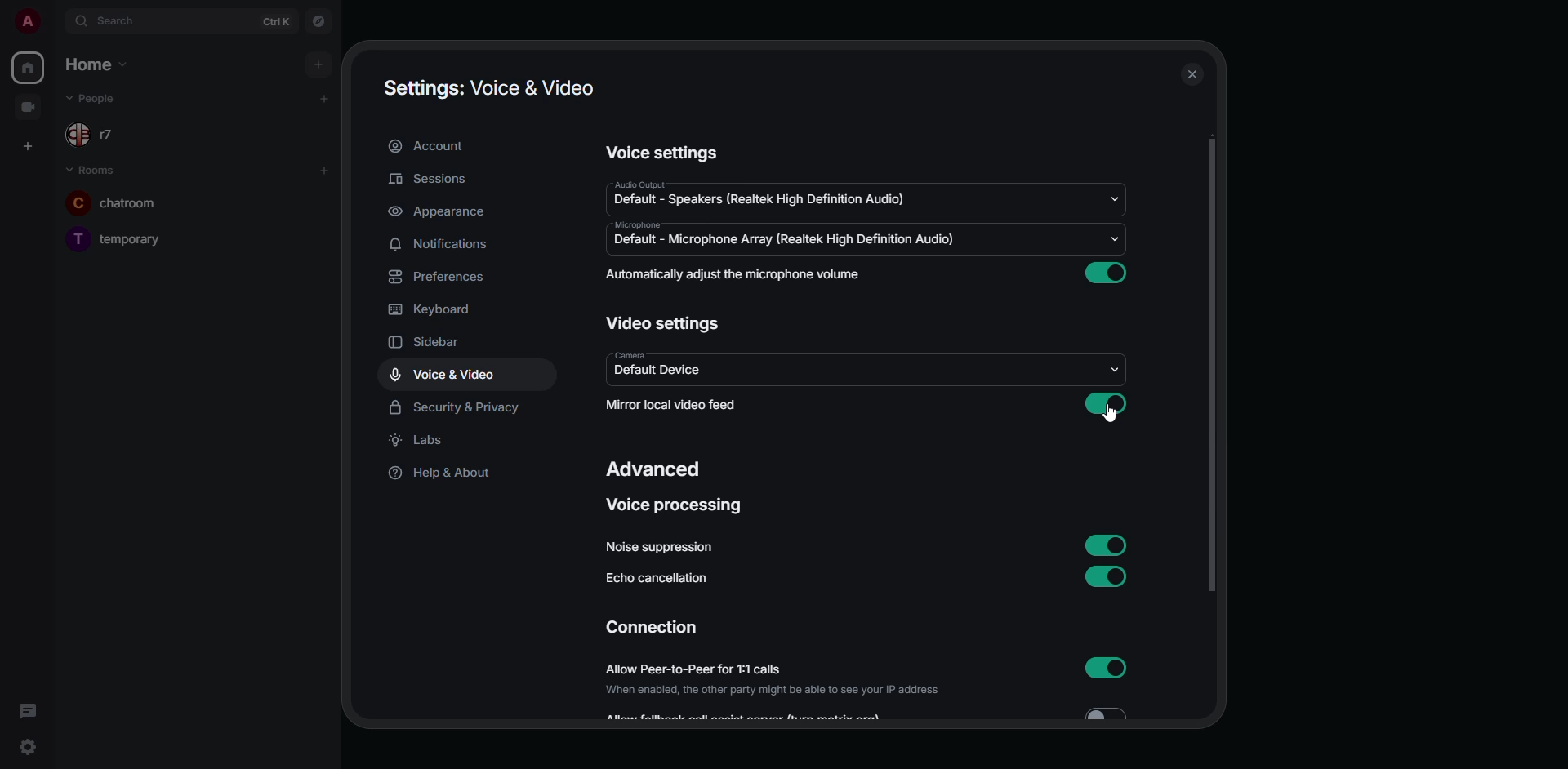 This screenshot has height=769, width=1568. What do you see at coordinates (29, 106) in the screenshot?
I see `video room` at bounding box center [29, 106].